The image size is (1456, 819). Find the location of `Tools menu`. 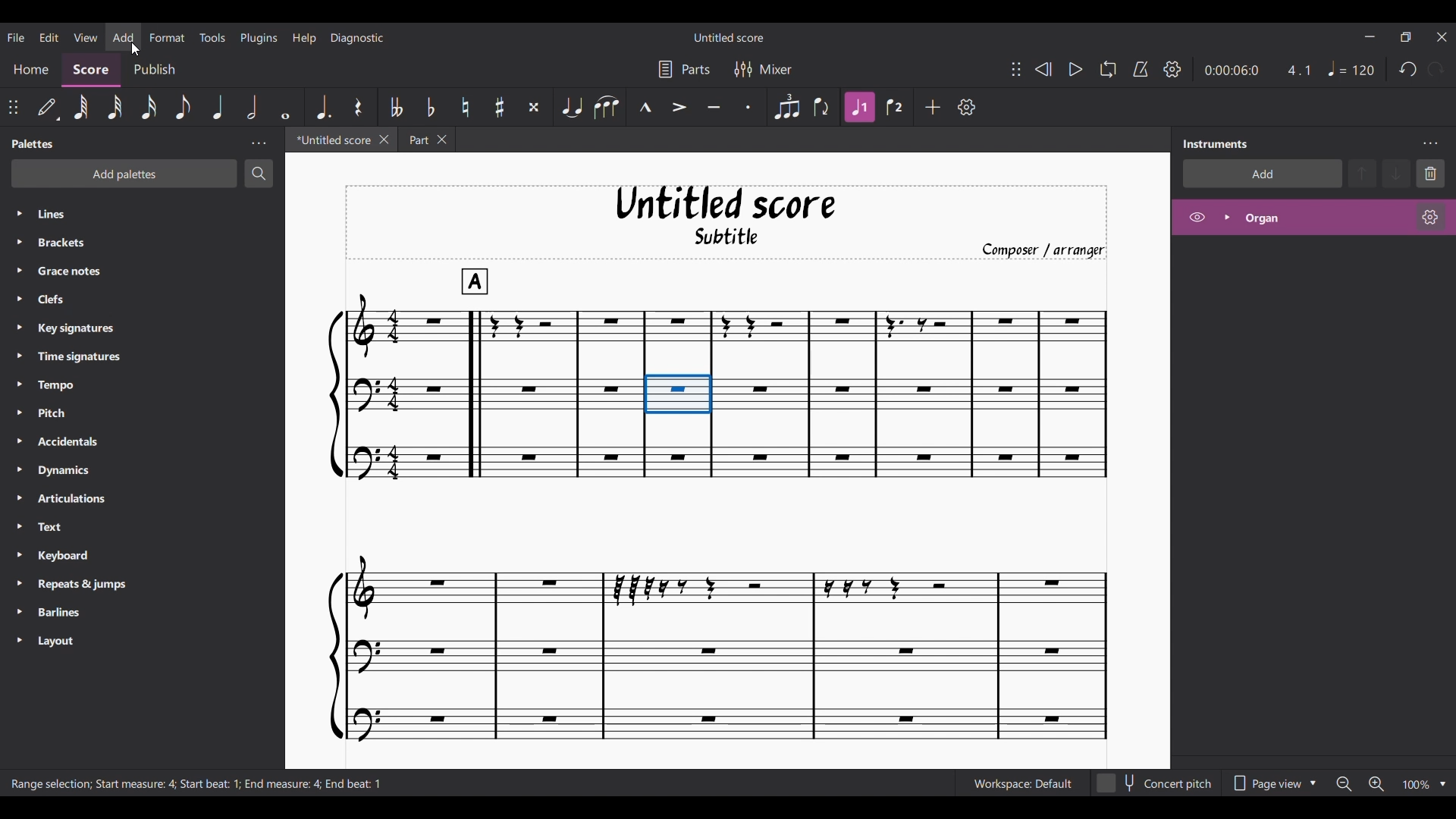

Tools menu is located at coordinates (212, 37).